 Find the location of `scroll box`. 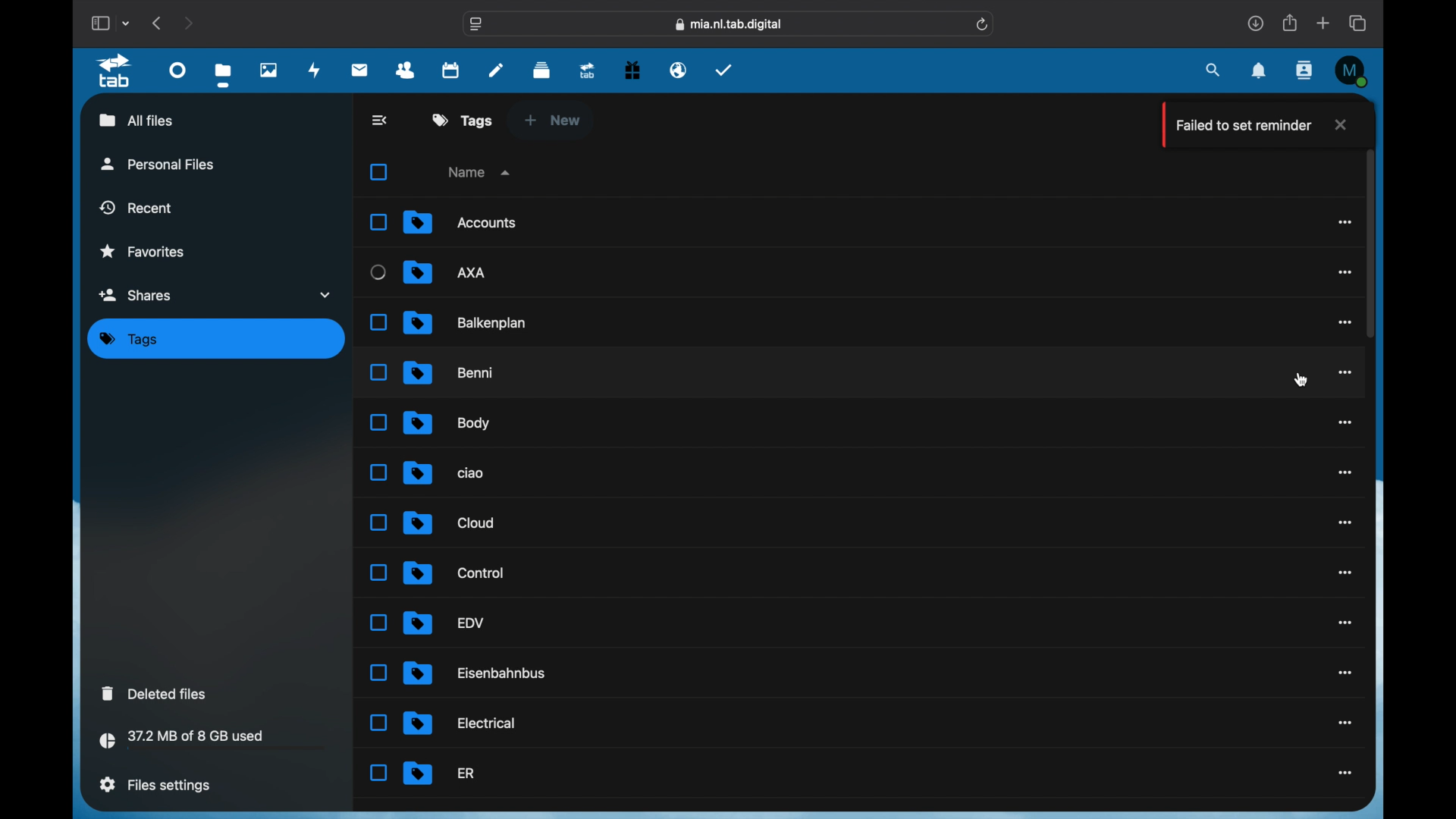

scroll box is located at coordinates (1370, 243).